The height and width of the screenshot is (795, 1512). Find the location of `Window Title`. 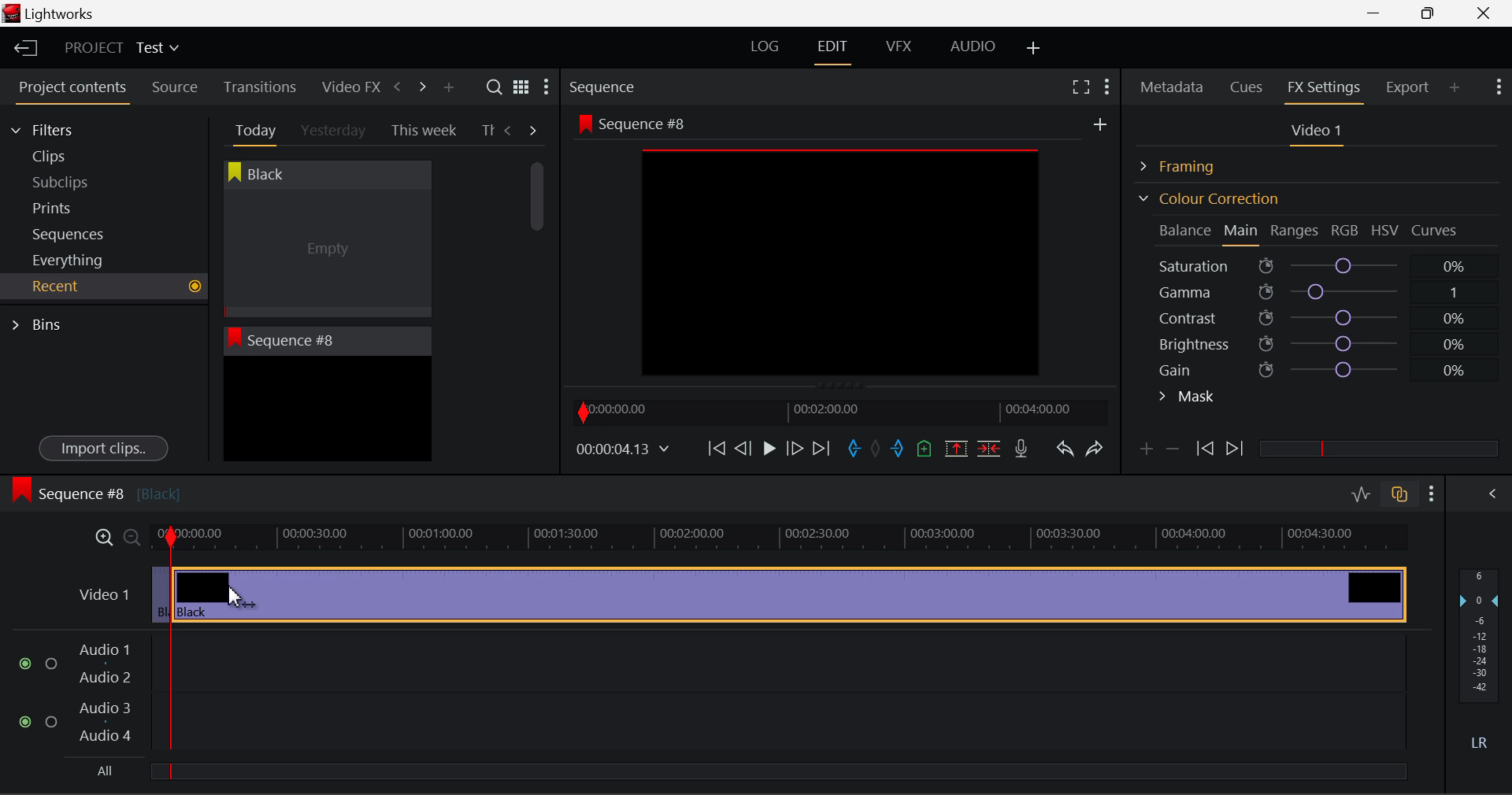

Window Title is located at coordinates (49, 15).